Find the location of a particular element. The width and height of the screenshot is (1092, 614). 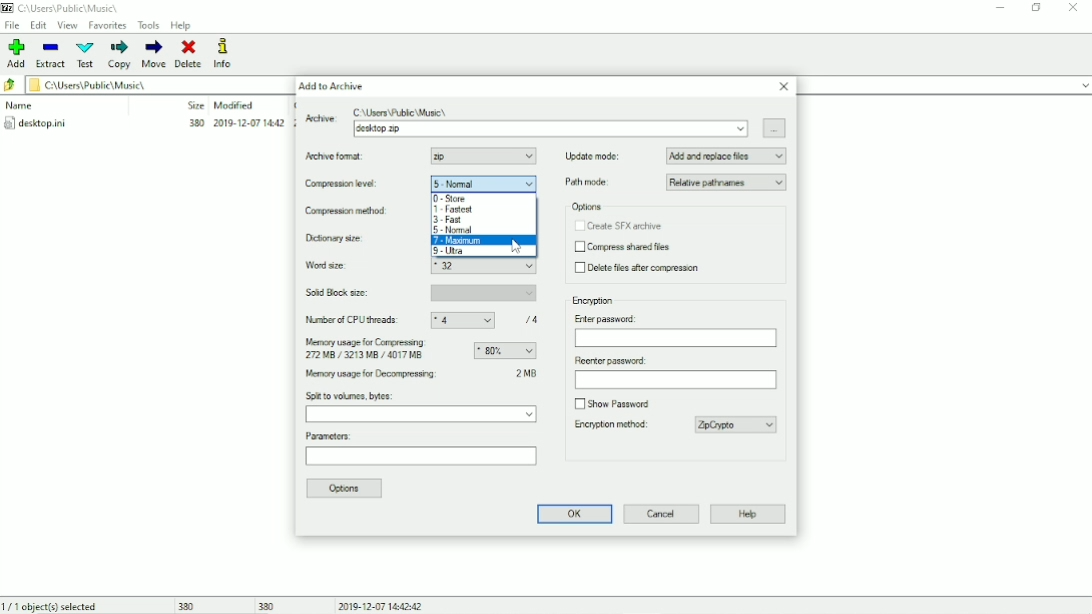

File location is located at coordinates (152, 84).